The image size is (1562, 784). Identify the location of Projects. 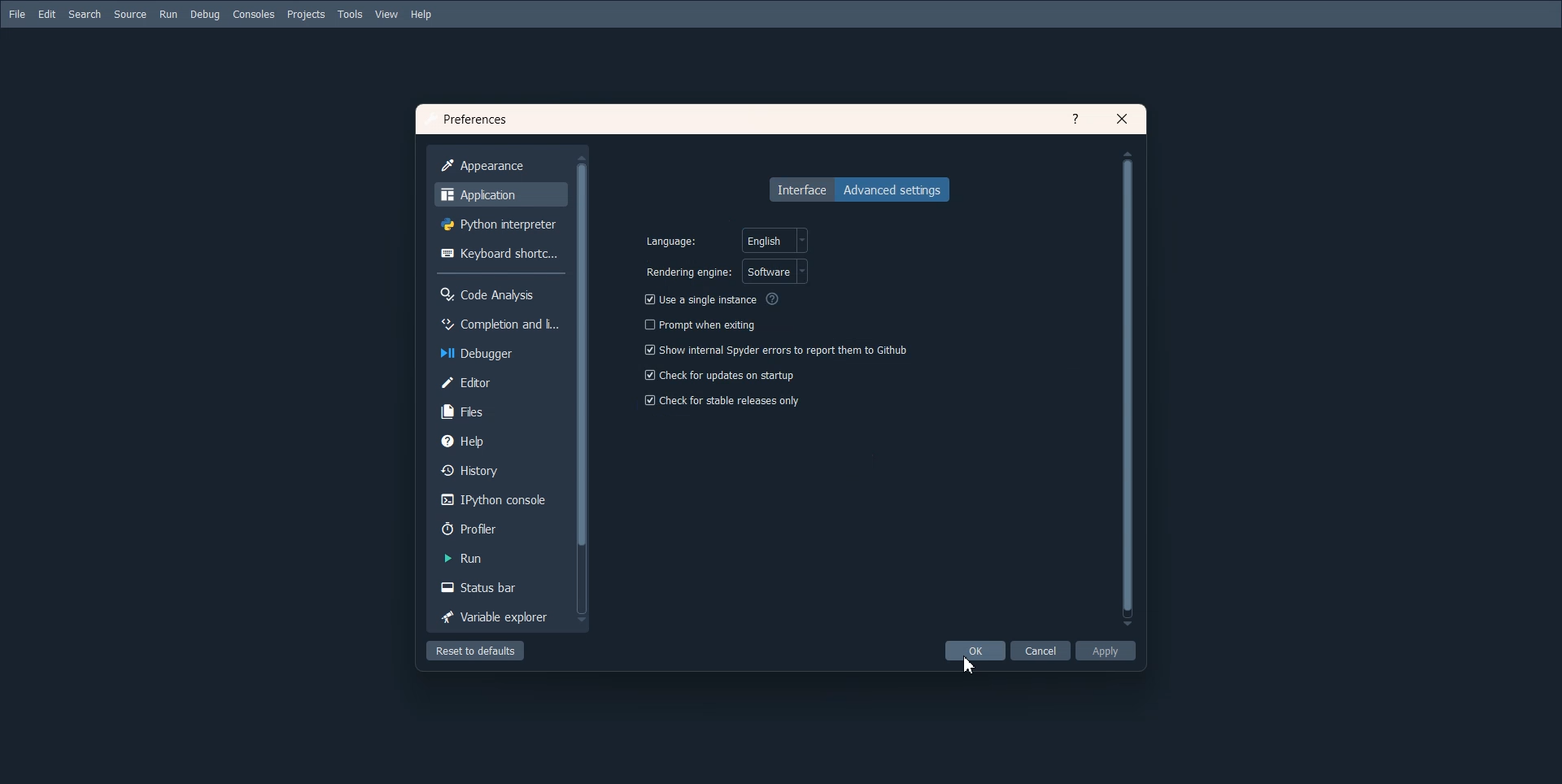
(306, 14).